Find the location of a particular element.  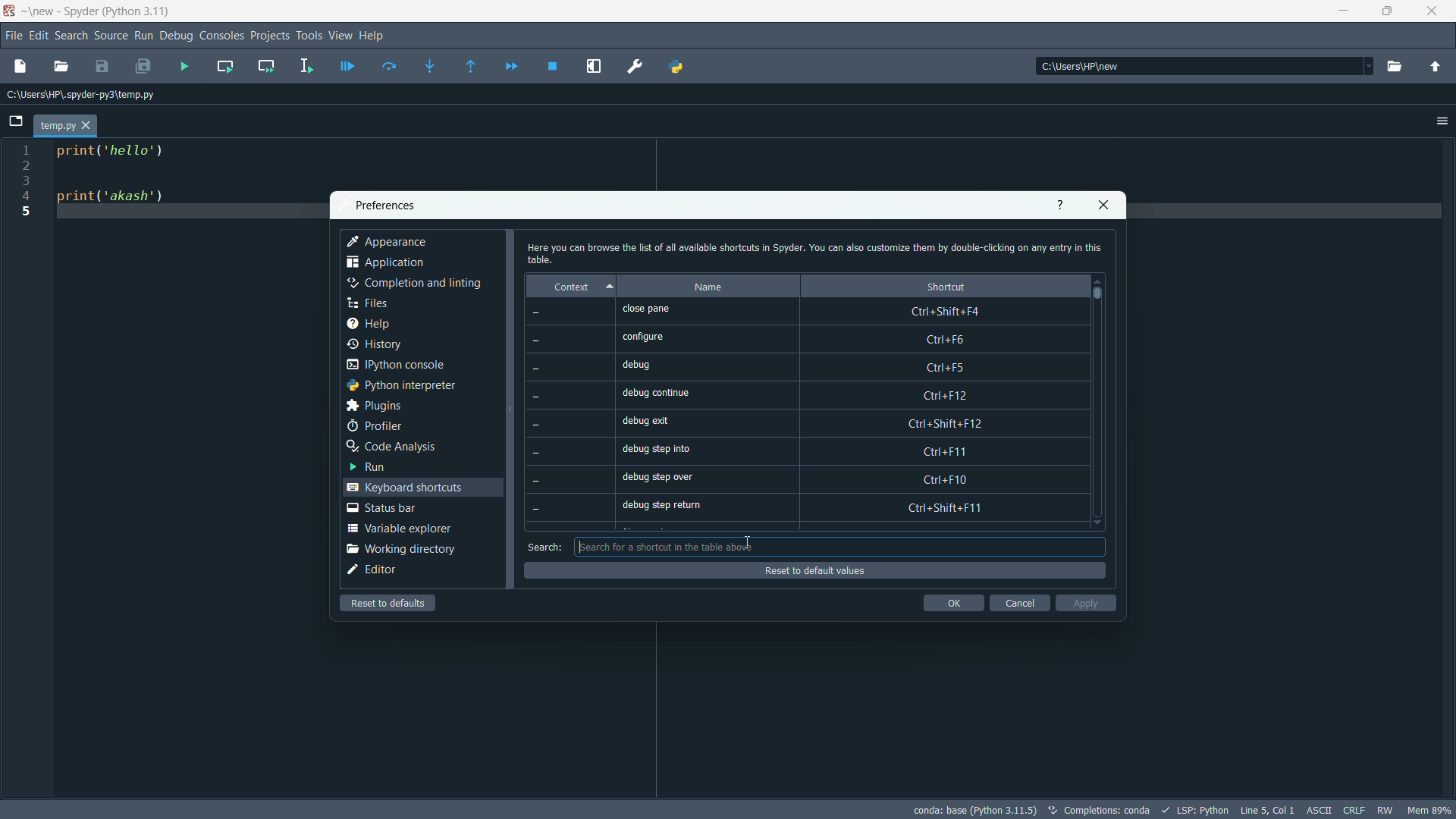

c:/users/hp/new is located at coordinates (1203, 66).